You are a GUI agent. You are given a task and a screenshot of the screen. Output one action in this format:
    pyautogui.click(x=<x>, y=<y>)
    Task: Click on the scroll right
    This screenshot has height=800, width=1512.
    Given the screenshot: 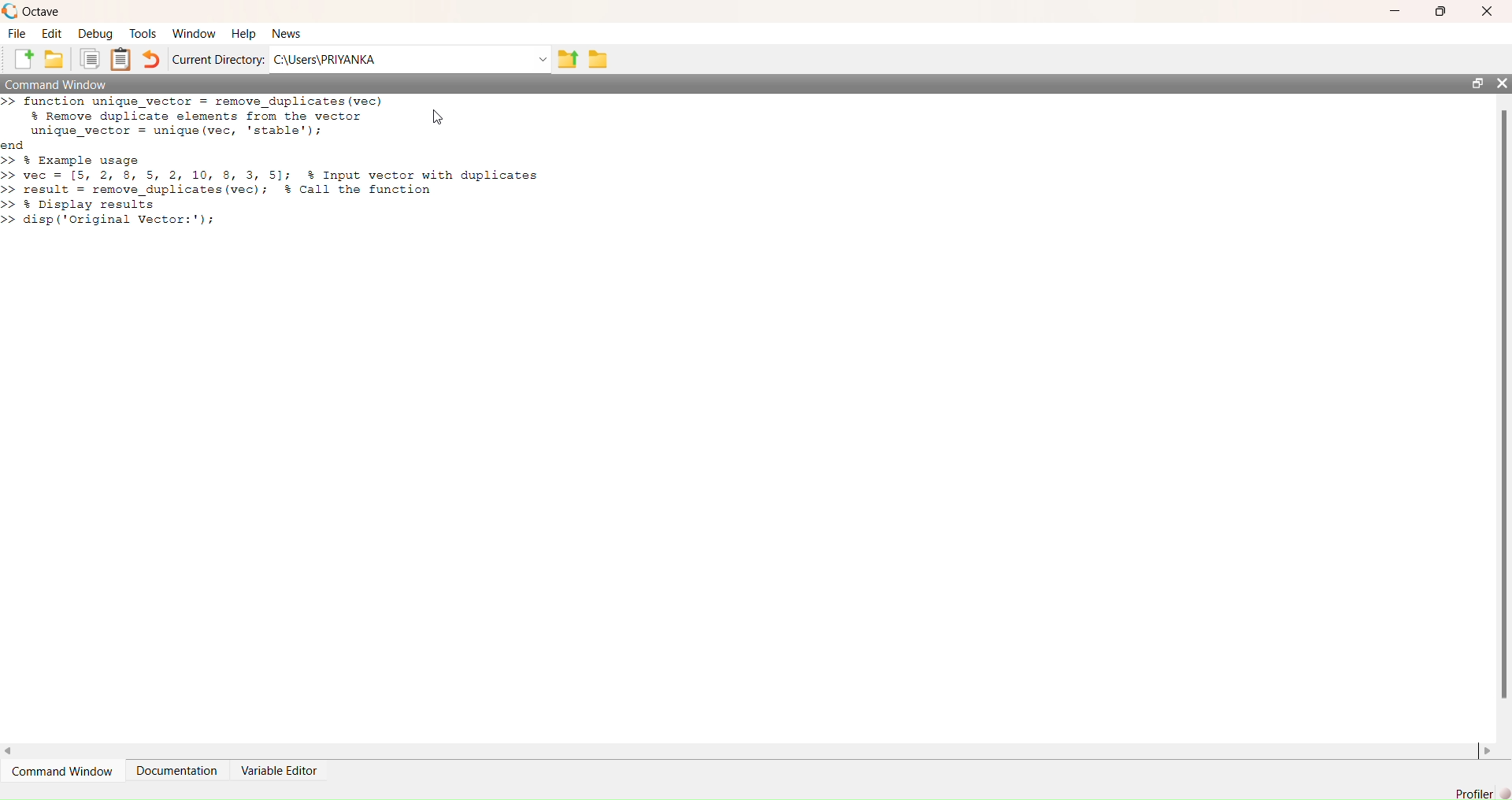 What is the action you would take?
    pyautogui.click(x=1488, y=753)
    